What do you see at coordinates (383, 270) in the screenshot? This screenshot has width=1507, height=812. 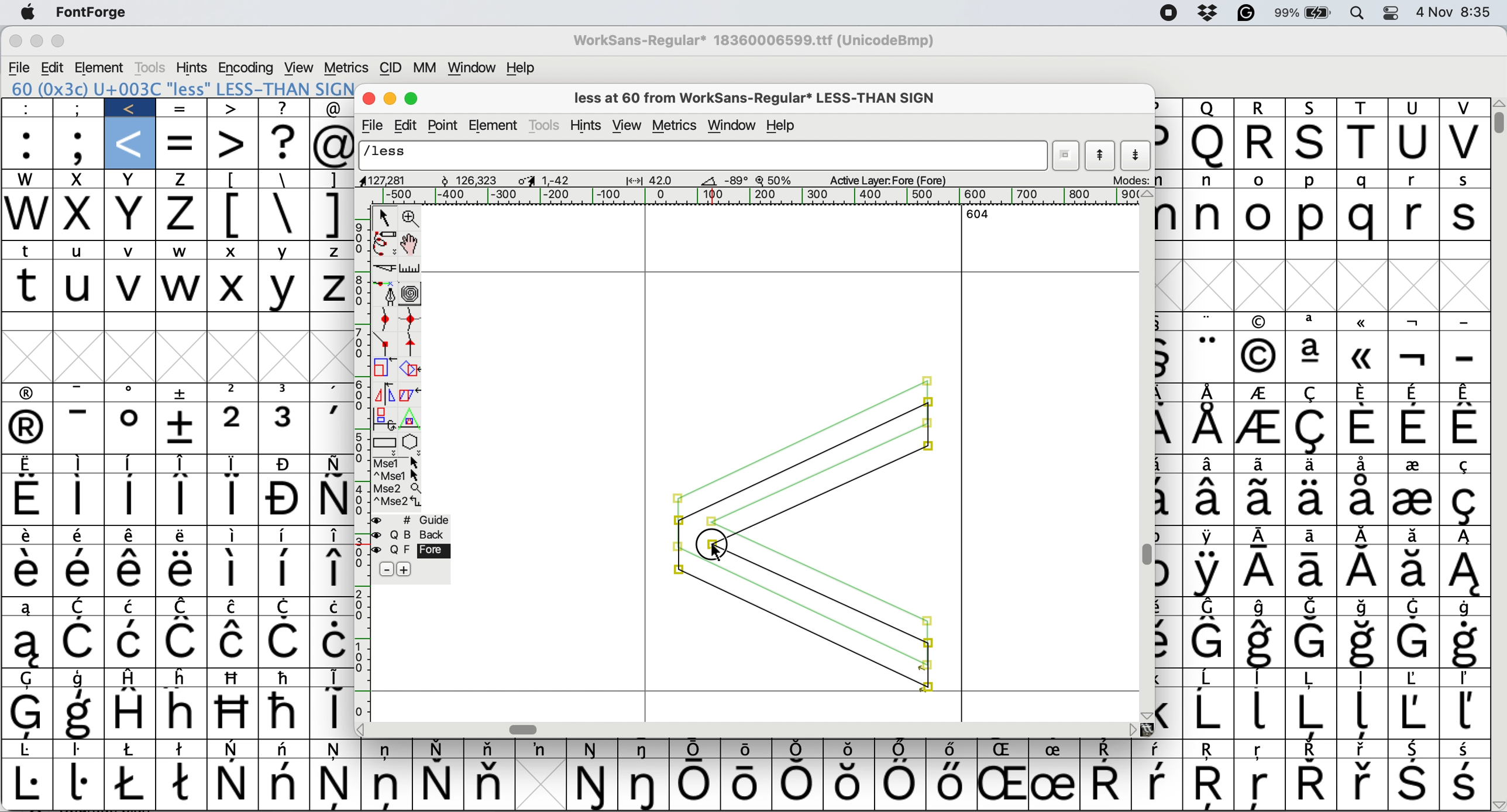 I see `cut splines in two` at bounding box center [383, 270].